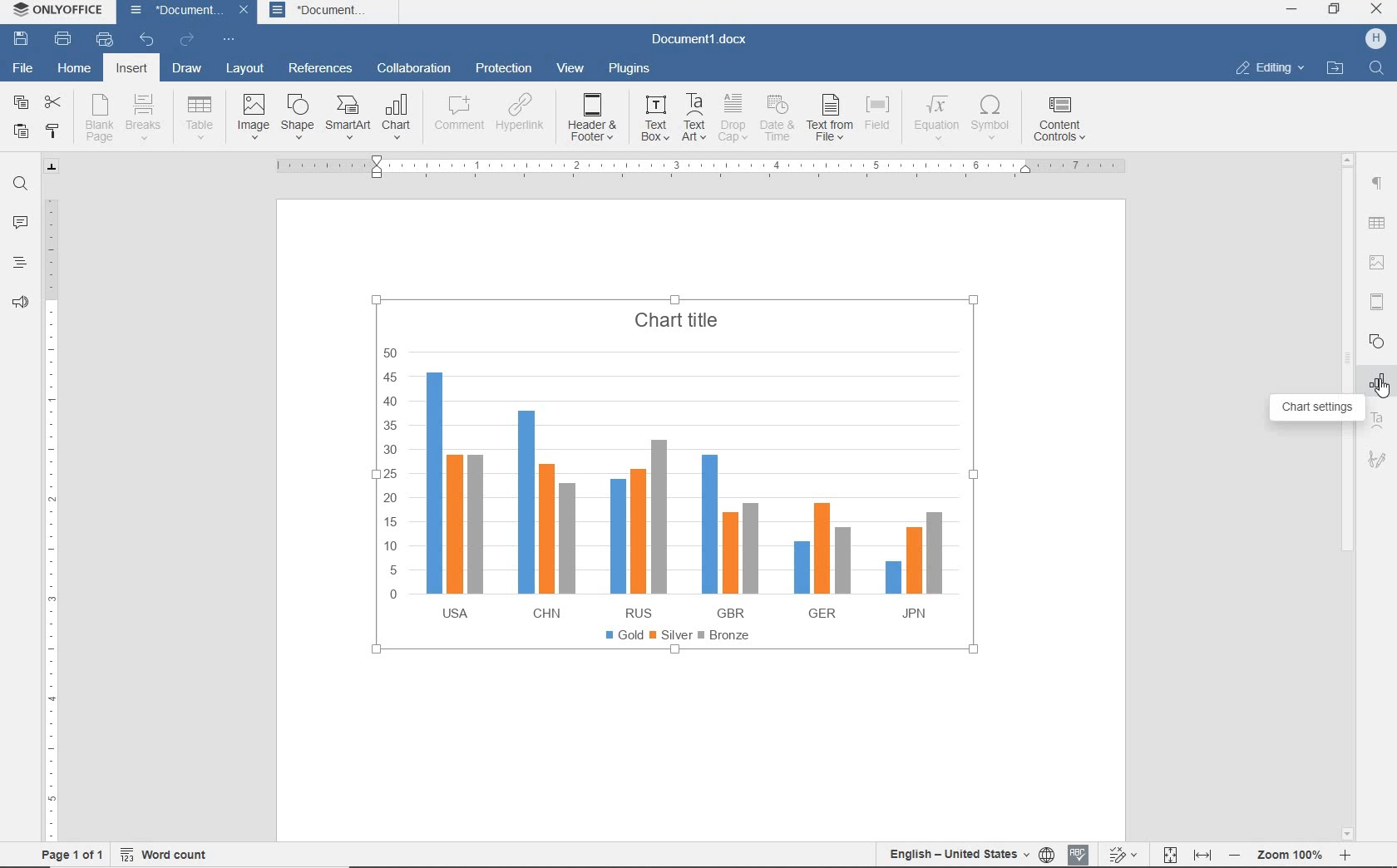  What do you see at coordinates (1378, 224) in the screenshot?
I see `table` at bounding box center [1378, 224].